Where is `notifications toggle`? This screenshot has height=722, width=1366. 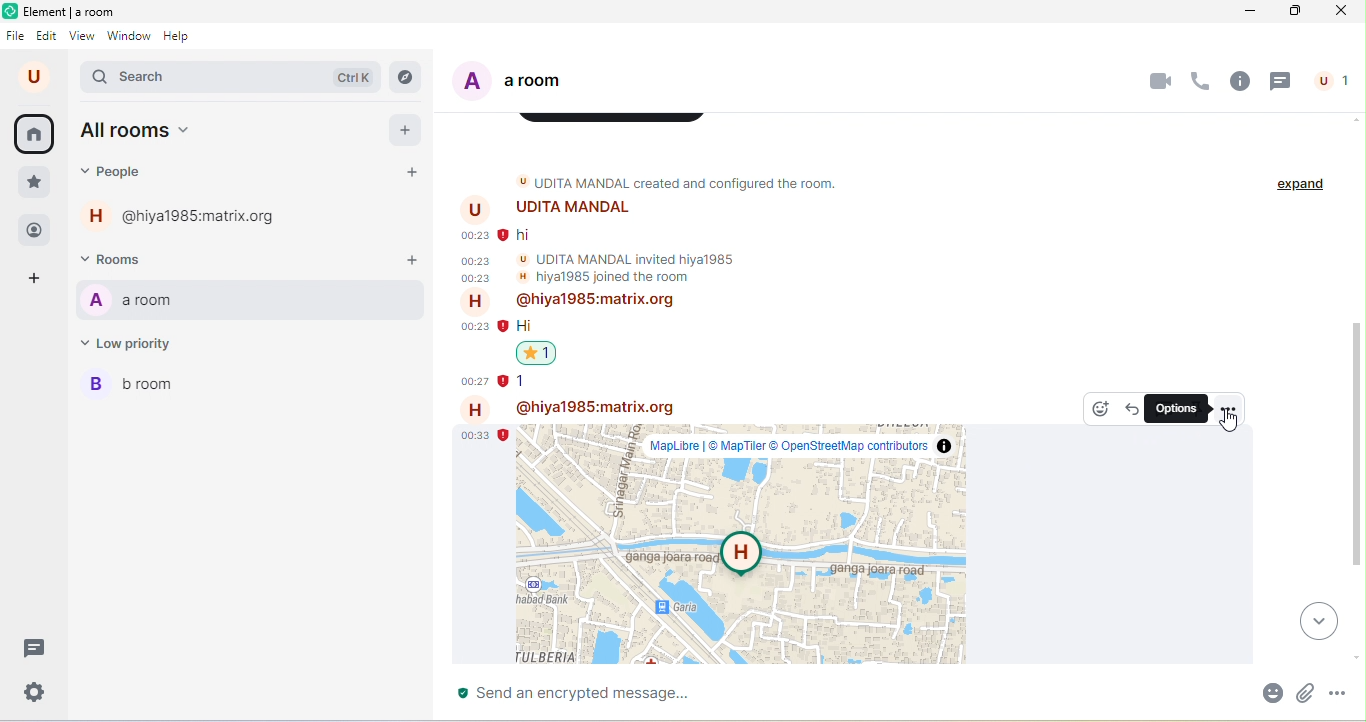 notifications toggle is located at coordinates (413, 299).